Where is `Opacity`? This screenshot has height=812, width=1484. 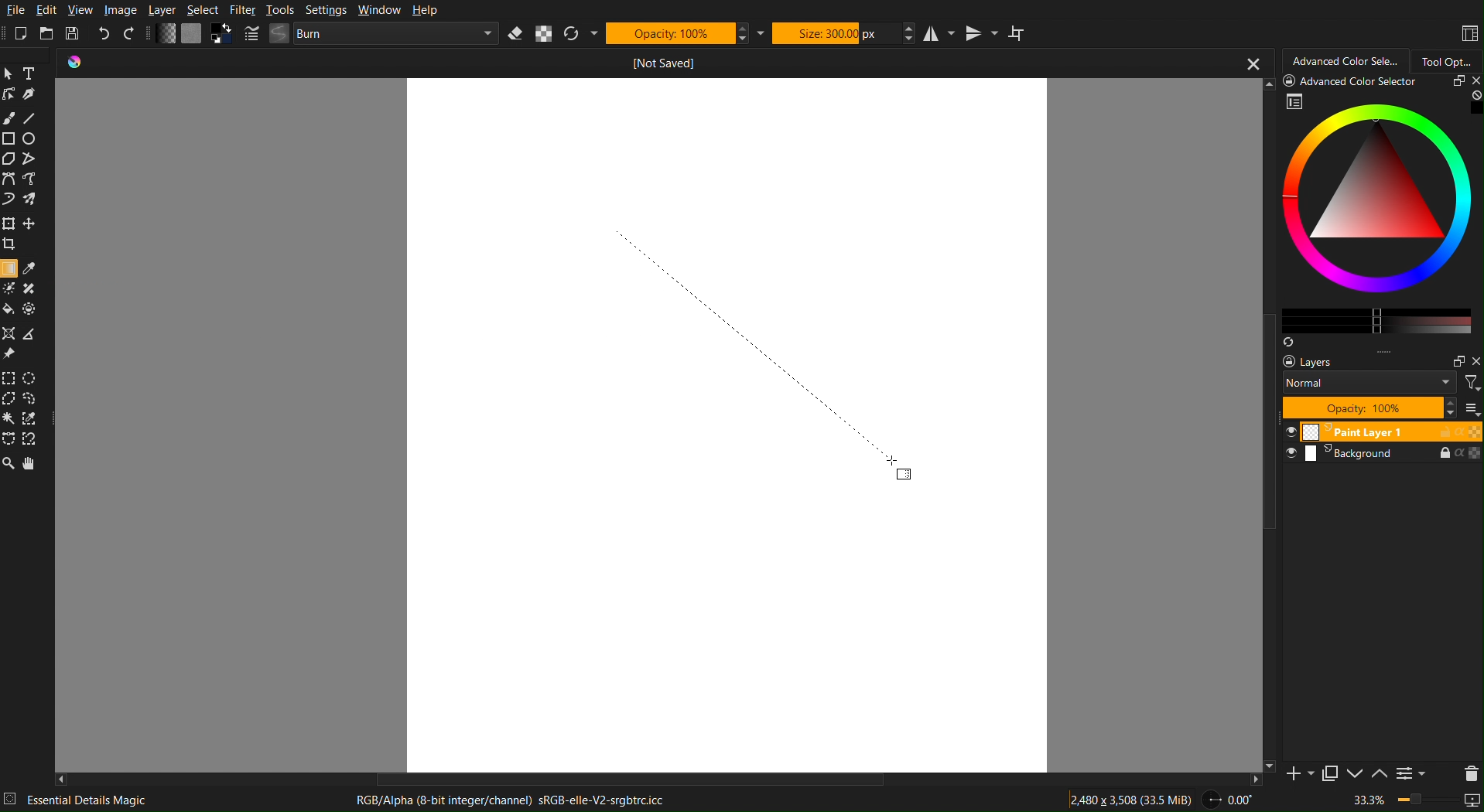
Opacity is located at coordinates (676, 32).